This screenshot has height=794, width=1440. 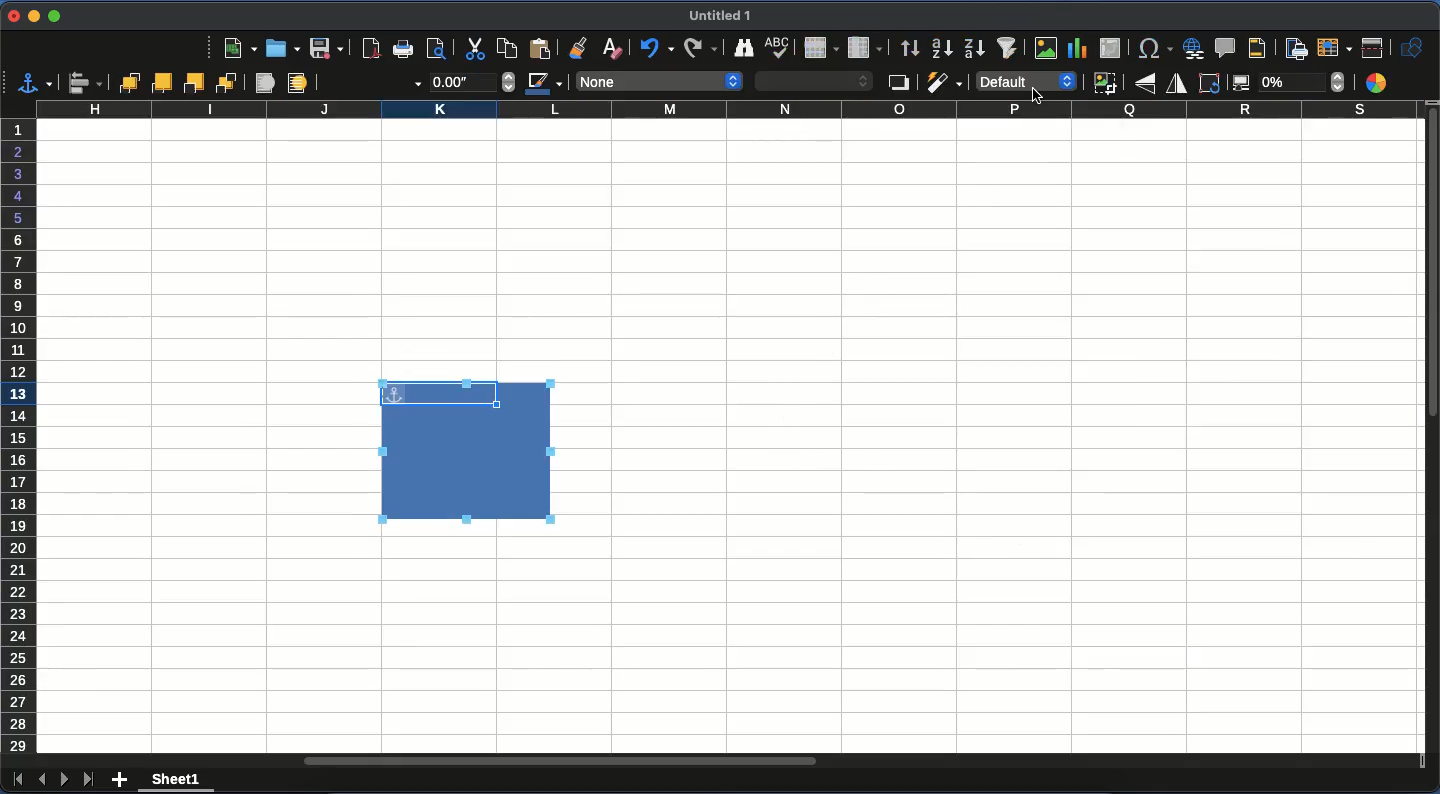 I want to click on spell check, so click(x=780, y=48).